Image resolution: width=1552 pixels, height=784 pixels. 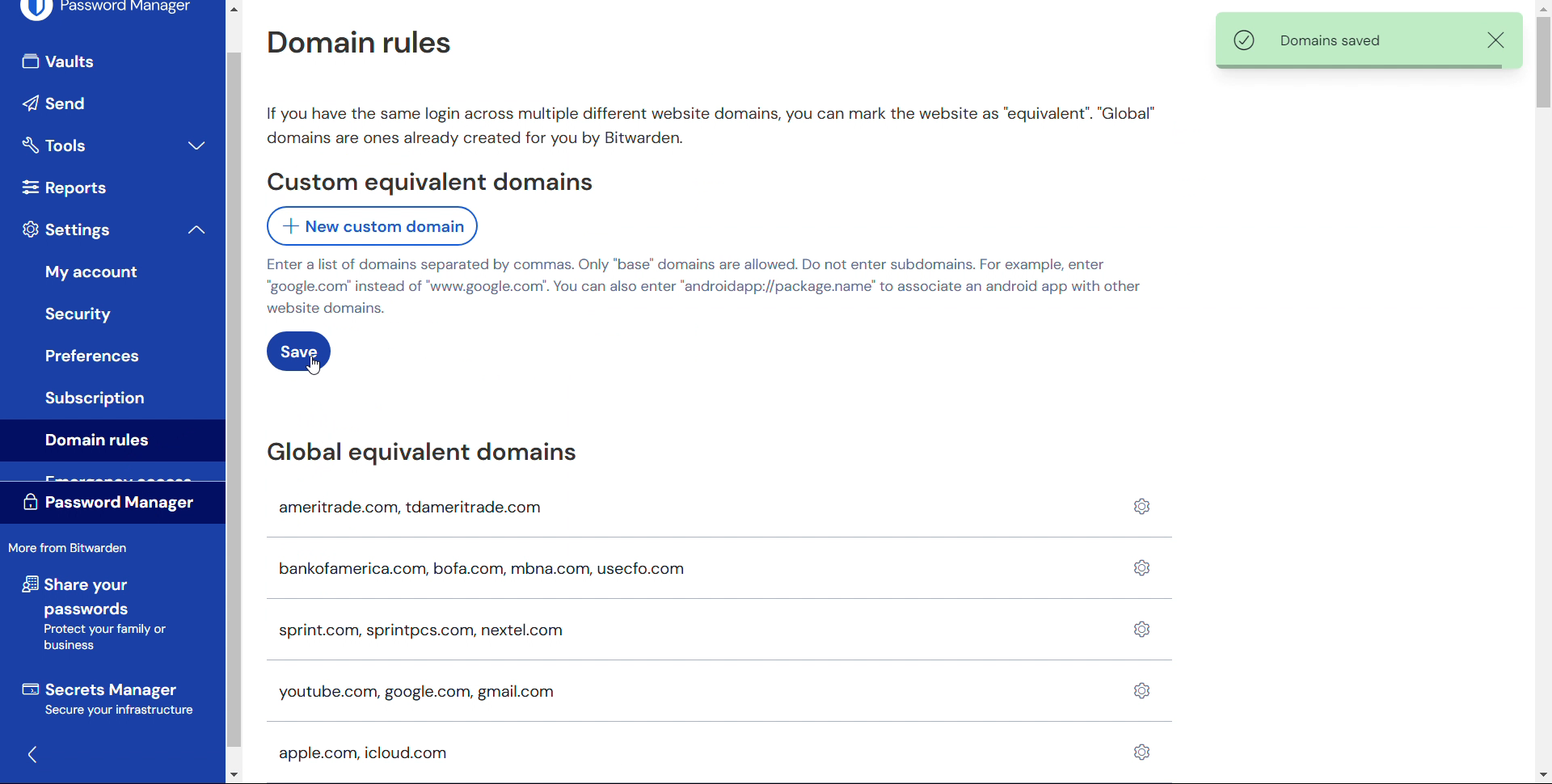 I want to click on collapse settings, so click(x=194, y=229).